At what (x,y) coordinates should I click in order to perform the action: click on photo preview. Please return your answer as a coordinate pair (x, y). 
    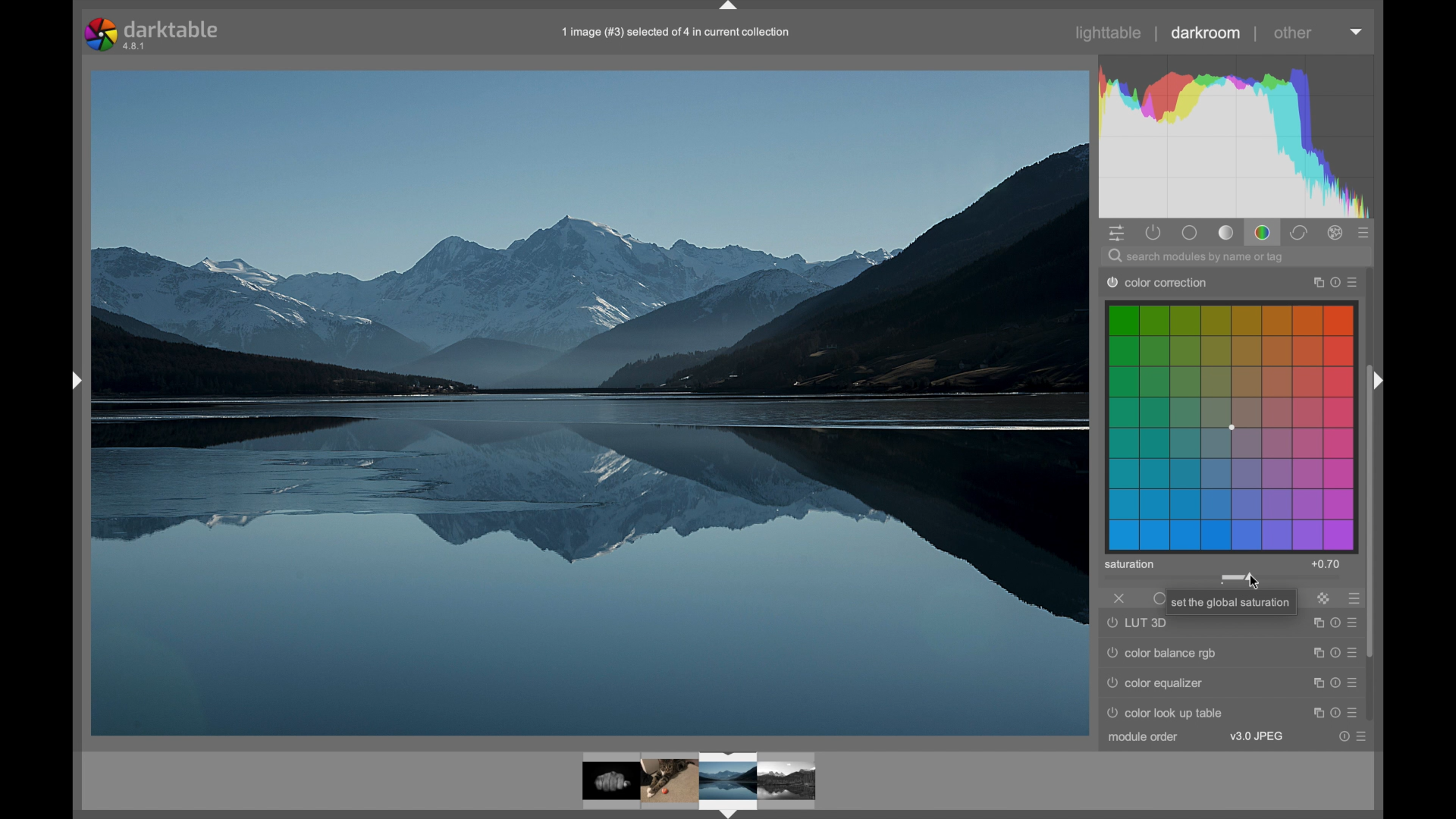
    Looking at the image, I should click on (604, 783).